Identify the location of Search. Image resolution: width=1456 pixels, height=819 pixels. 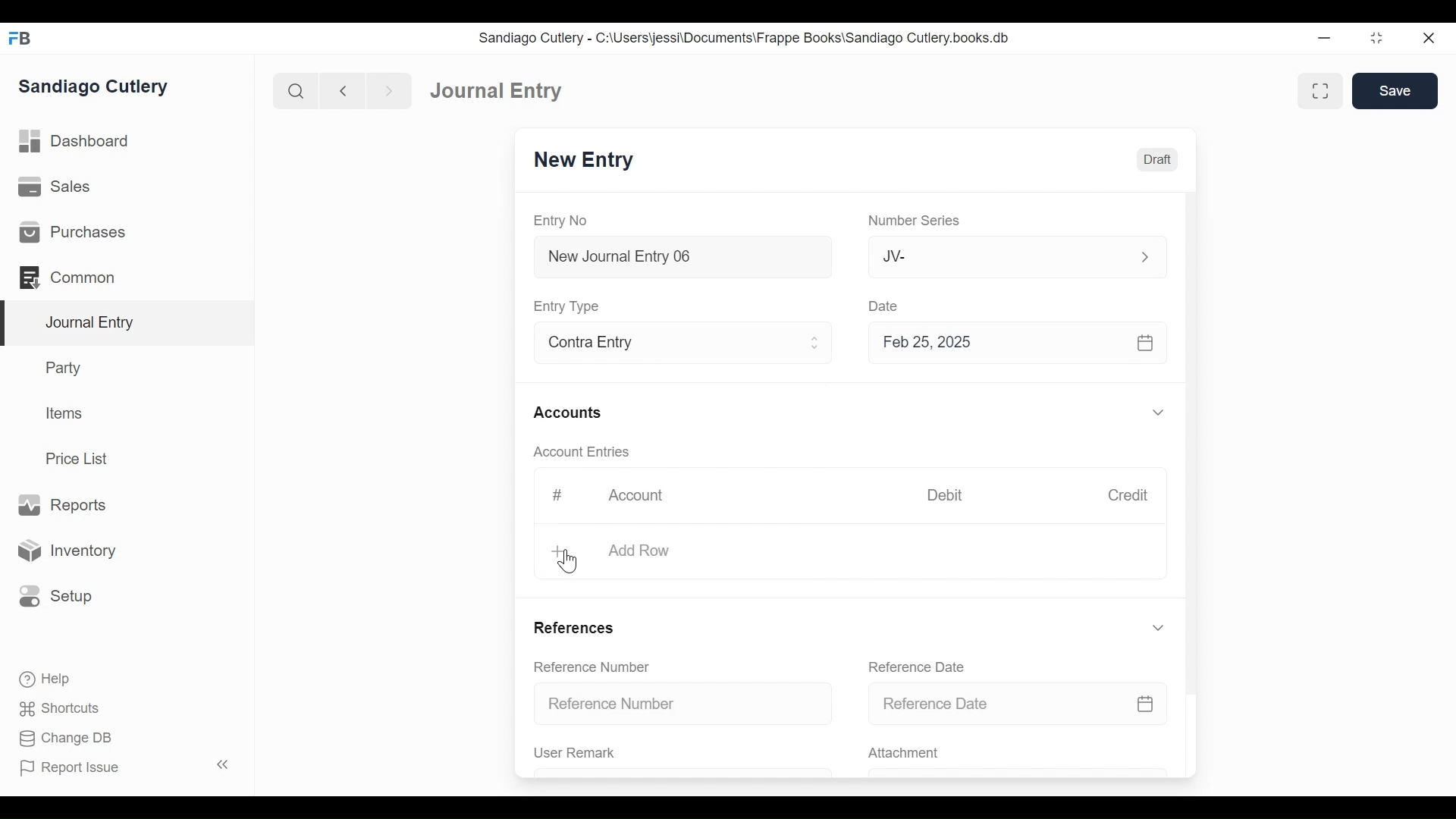
(297, 91).